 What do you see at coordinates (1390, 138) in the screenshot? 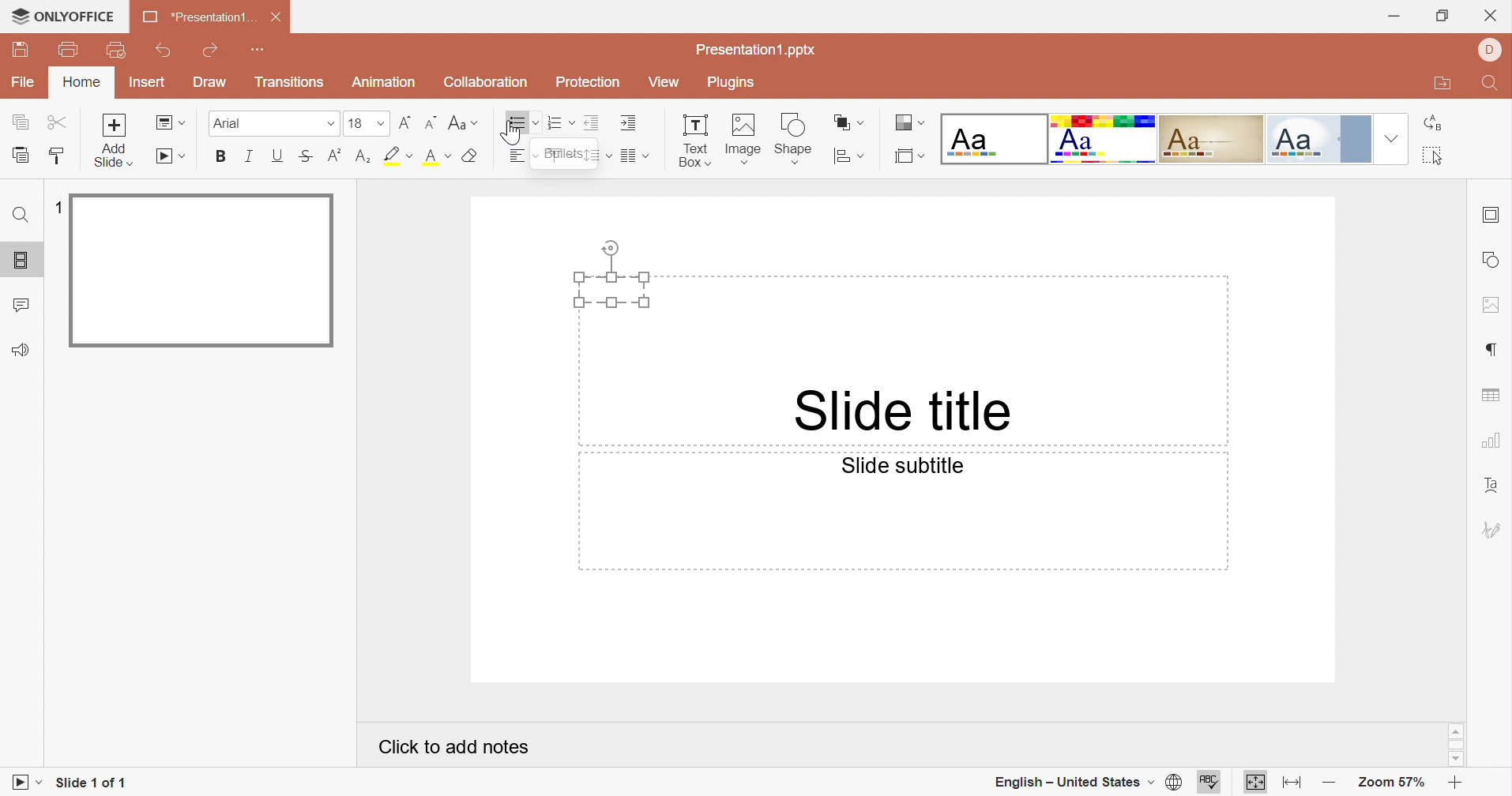
I see `Drop Down` at bounding box center [1390, 138].